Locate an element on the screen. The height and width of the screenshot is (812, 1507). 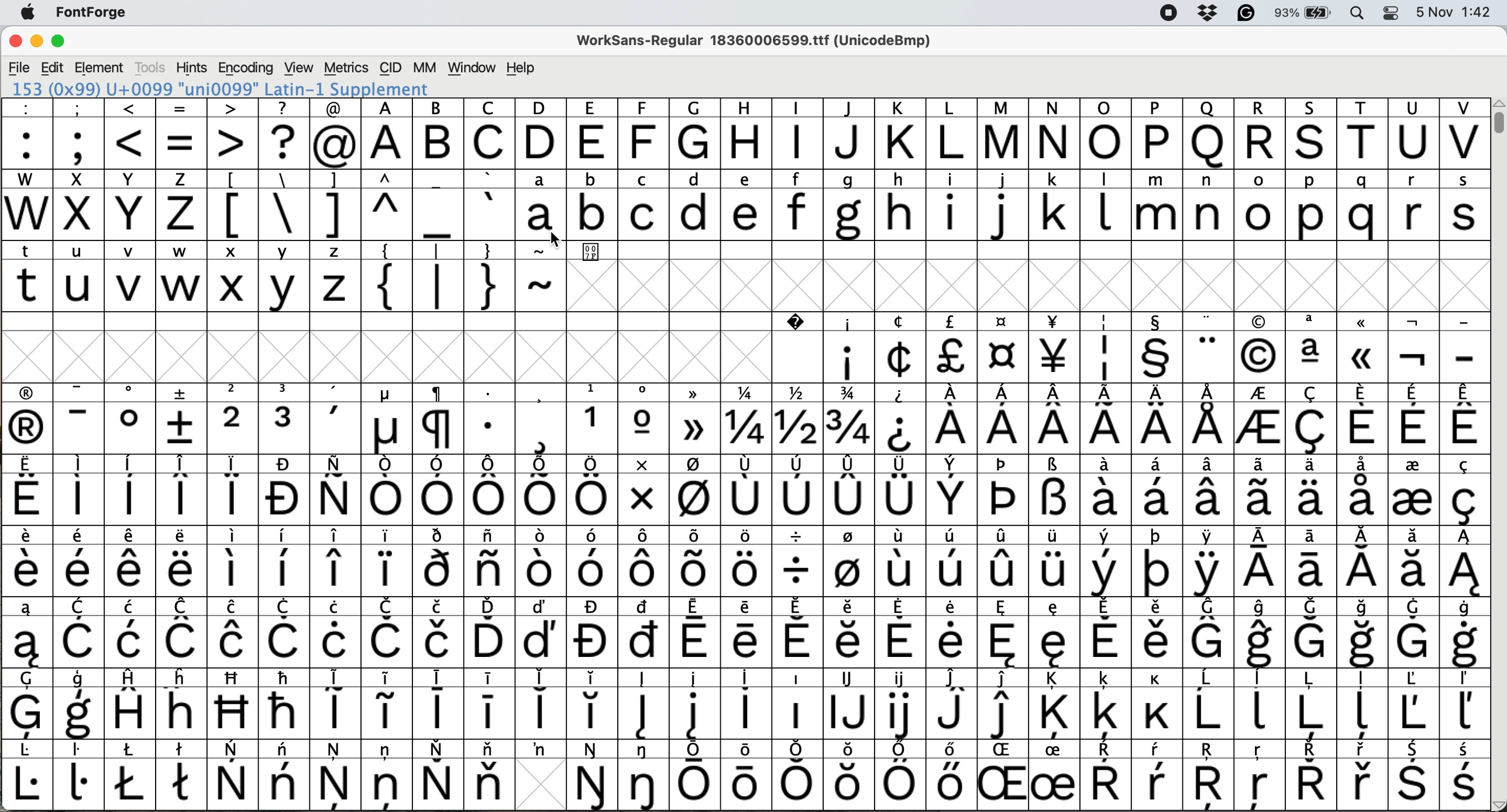
153 (0x99) U+0099 "uni0099" Latin-1 Supplement is located at coordinates (223, 88).